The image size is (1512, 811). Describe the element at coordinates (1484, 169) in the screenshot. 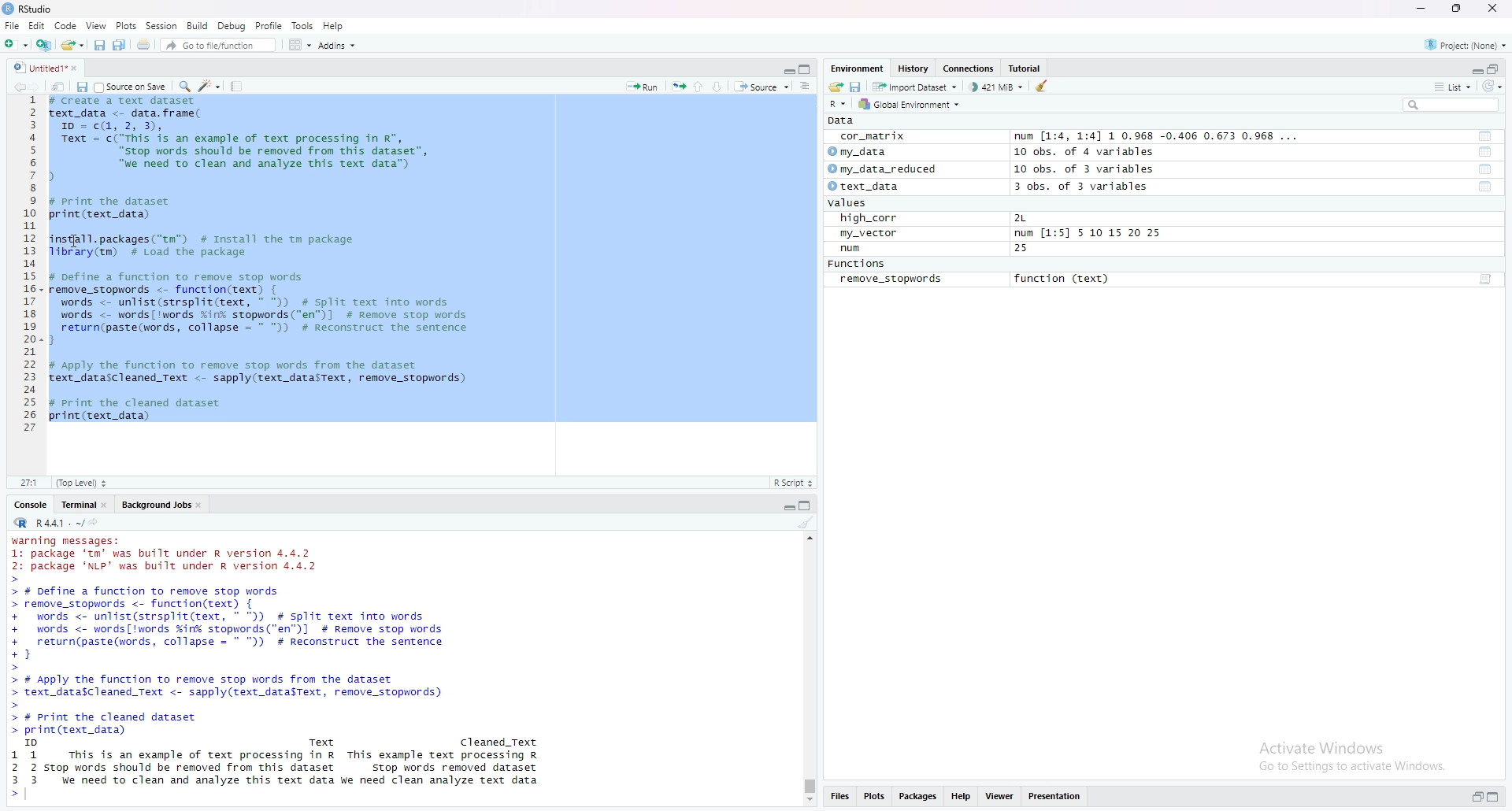

I see `functions ` at that location.